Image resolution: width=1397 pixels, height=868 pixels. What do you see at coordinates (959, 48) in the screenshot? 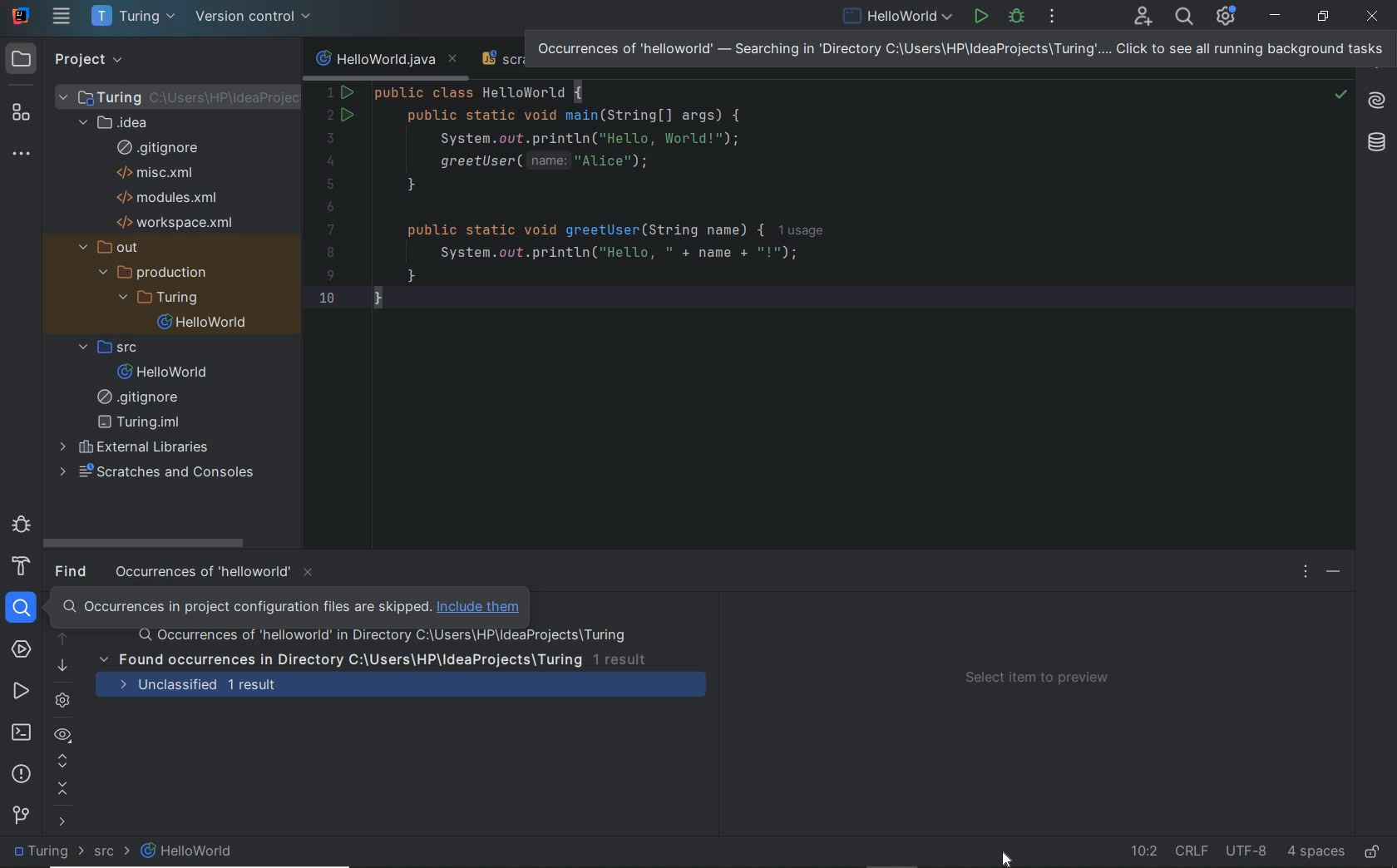
I see `occurrences of 'helloworld'` at bounding box center [959, 48].